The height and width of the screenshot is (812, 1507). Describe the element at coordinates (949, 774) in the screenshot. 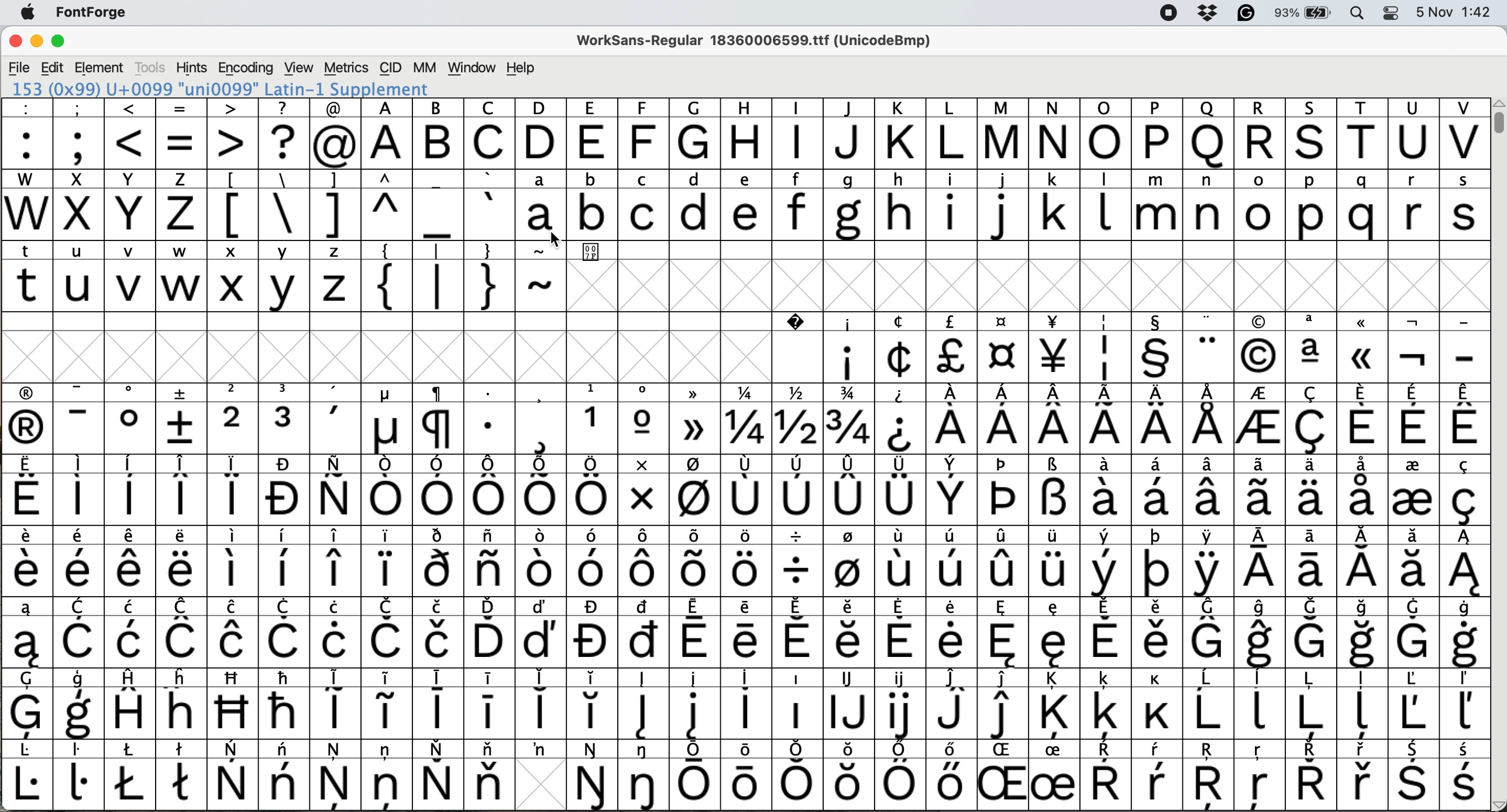

I see `symbol` at that location.